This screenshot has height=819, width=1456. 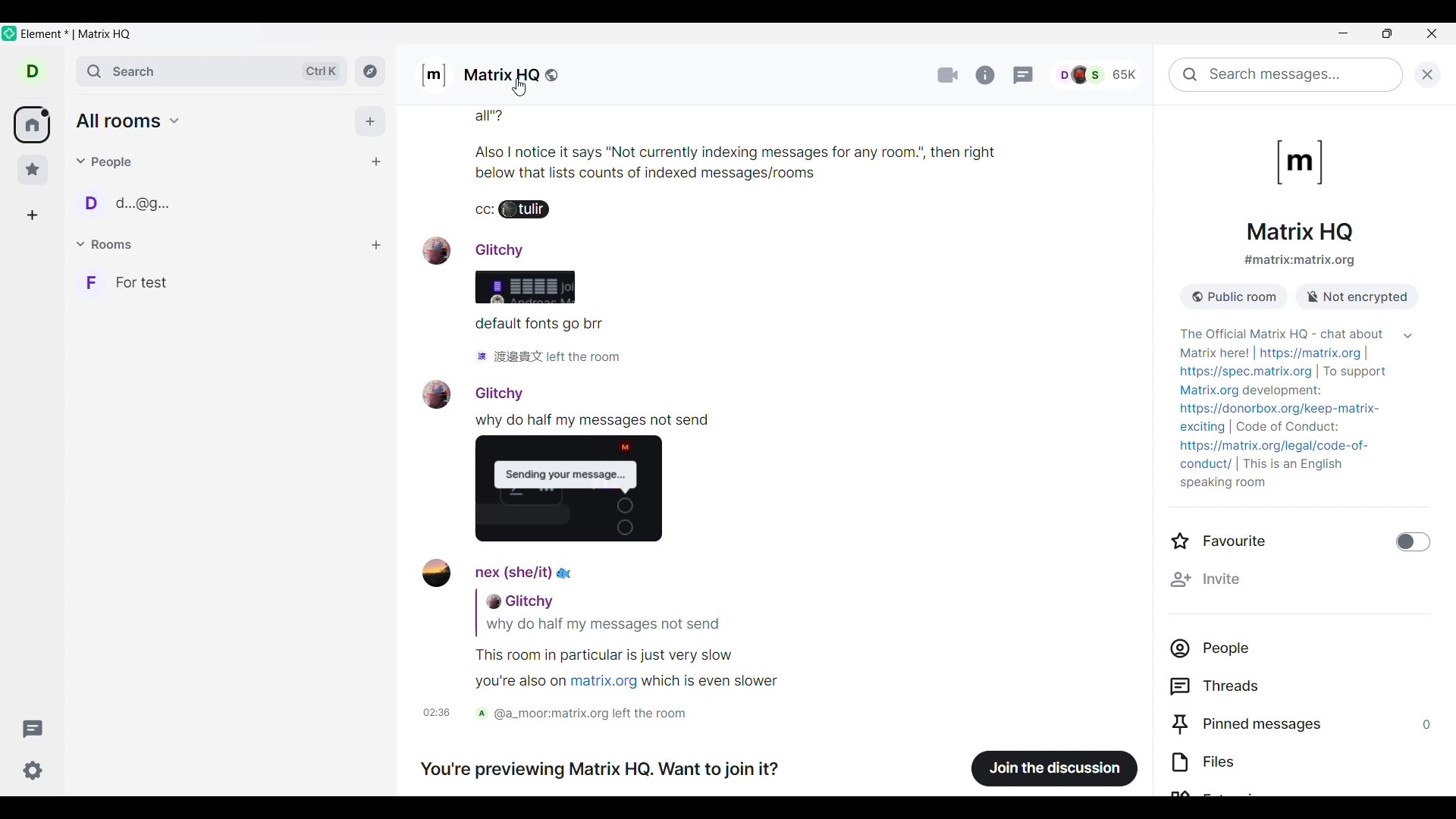 I want to click on default fonts go brr, so click(x=540, y=325).